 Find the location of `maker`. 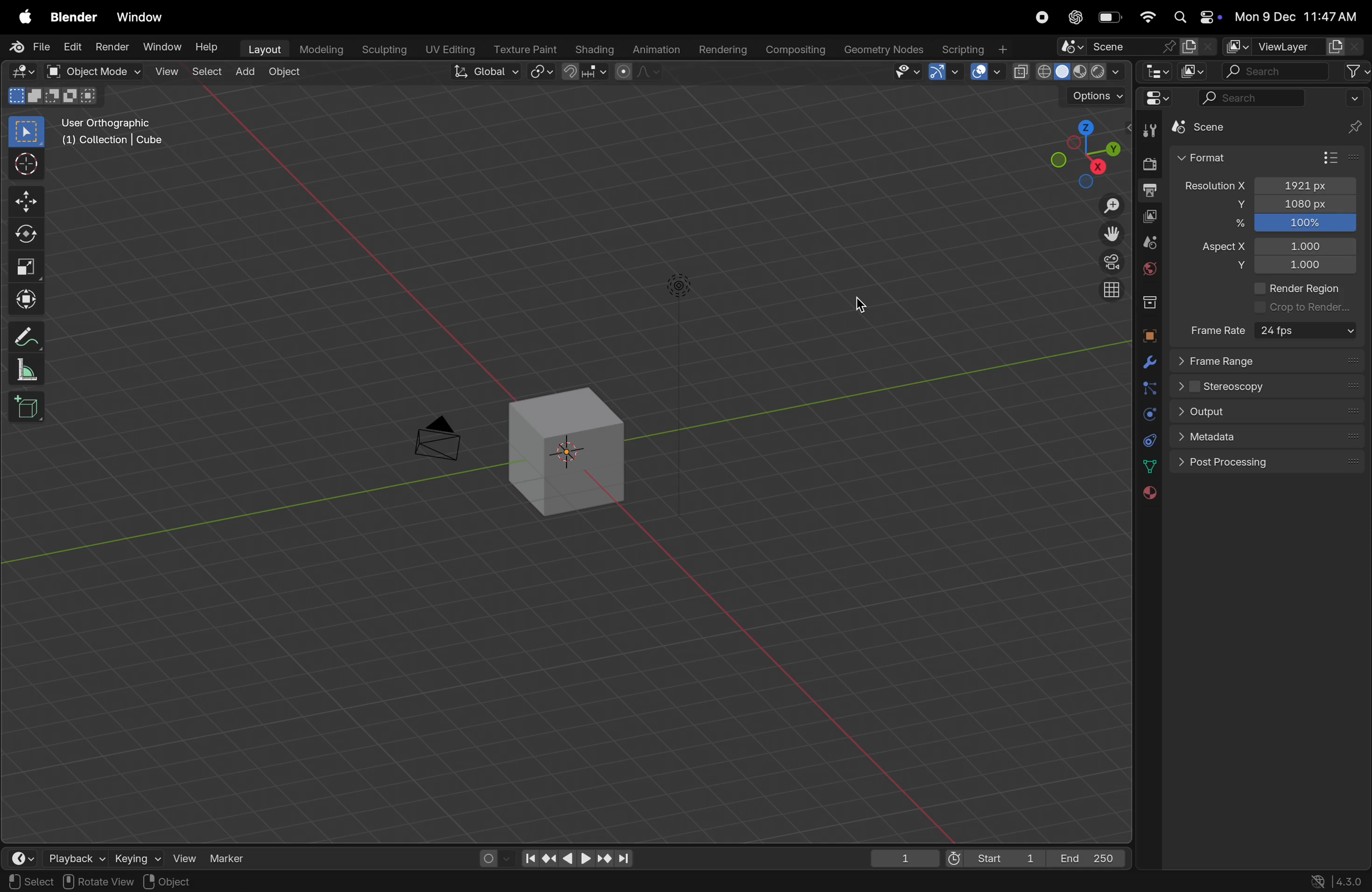

maker is located at coordinates (233, 855).